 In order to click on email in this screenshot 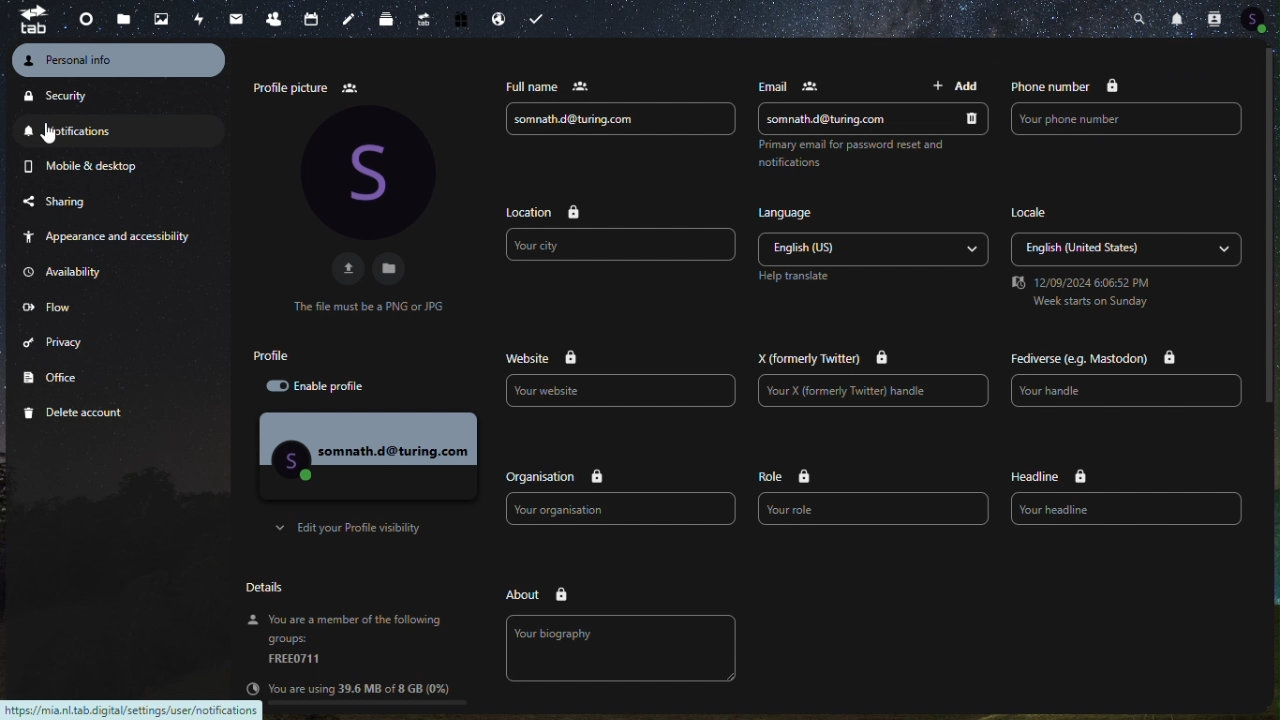, I will do `click(234, 17)`.